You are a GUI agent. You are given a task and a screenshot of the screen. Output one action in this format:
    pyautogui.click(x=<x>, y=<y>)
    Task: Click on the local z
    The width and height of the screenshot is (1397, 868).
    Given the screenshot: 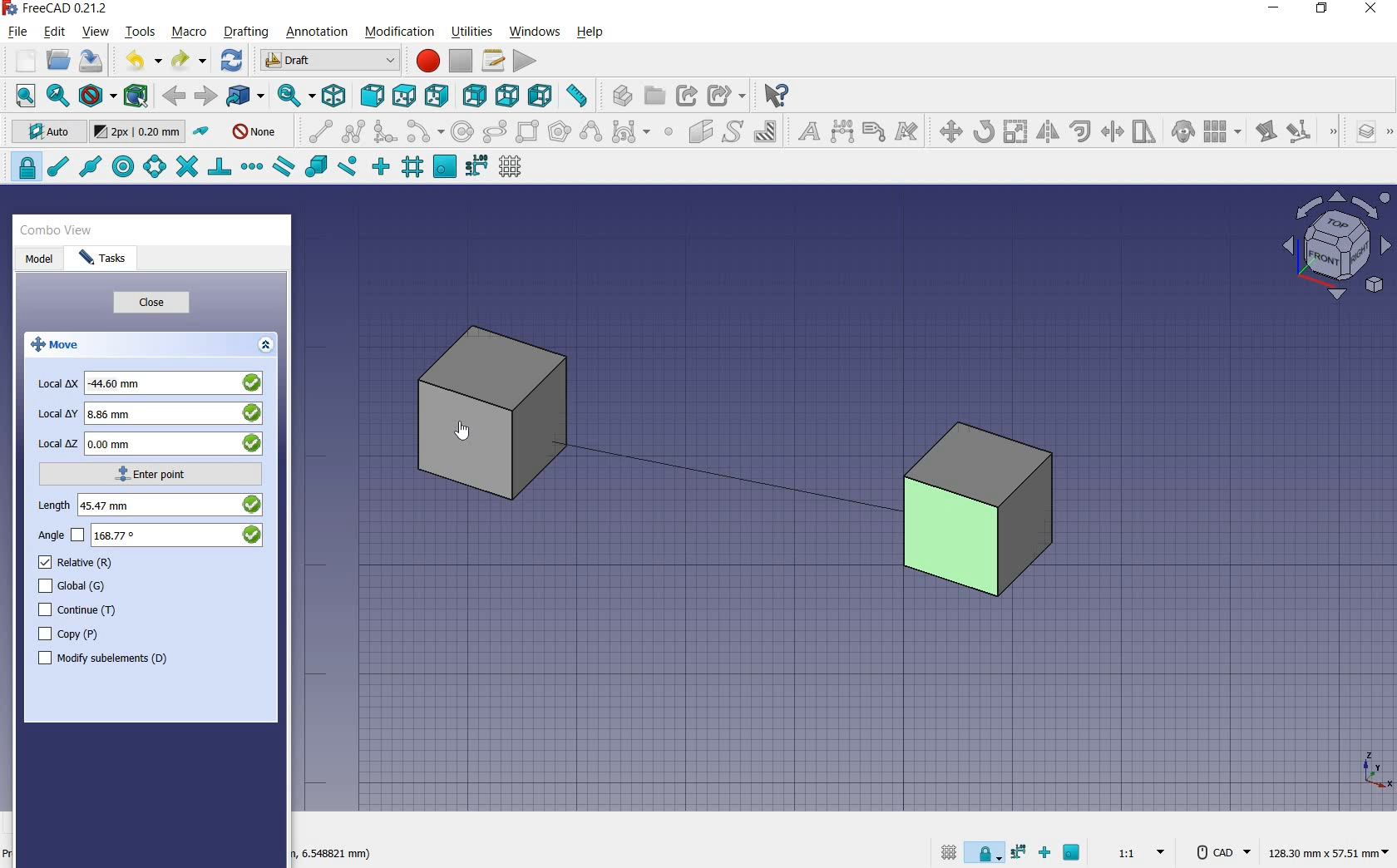 What is the action you would take?
    pyautogui.click(x=152, y=442)
    